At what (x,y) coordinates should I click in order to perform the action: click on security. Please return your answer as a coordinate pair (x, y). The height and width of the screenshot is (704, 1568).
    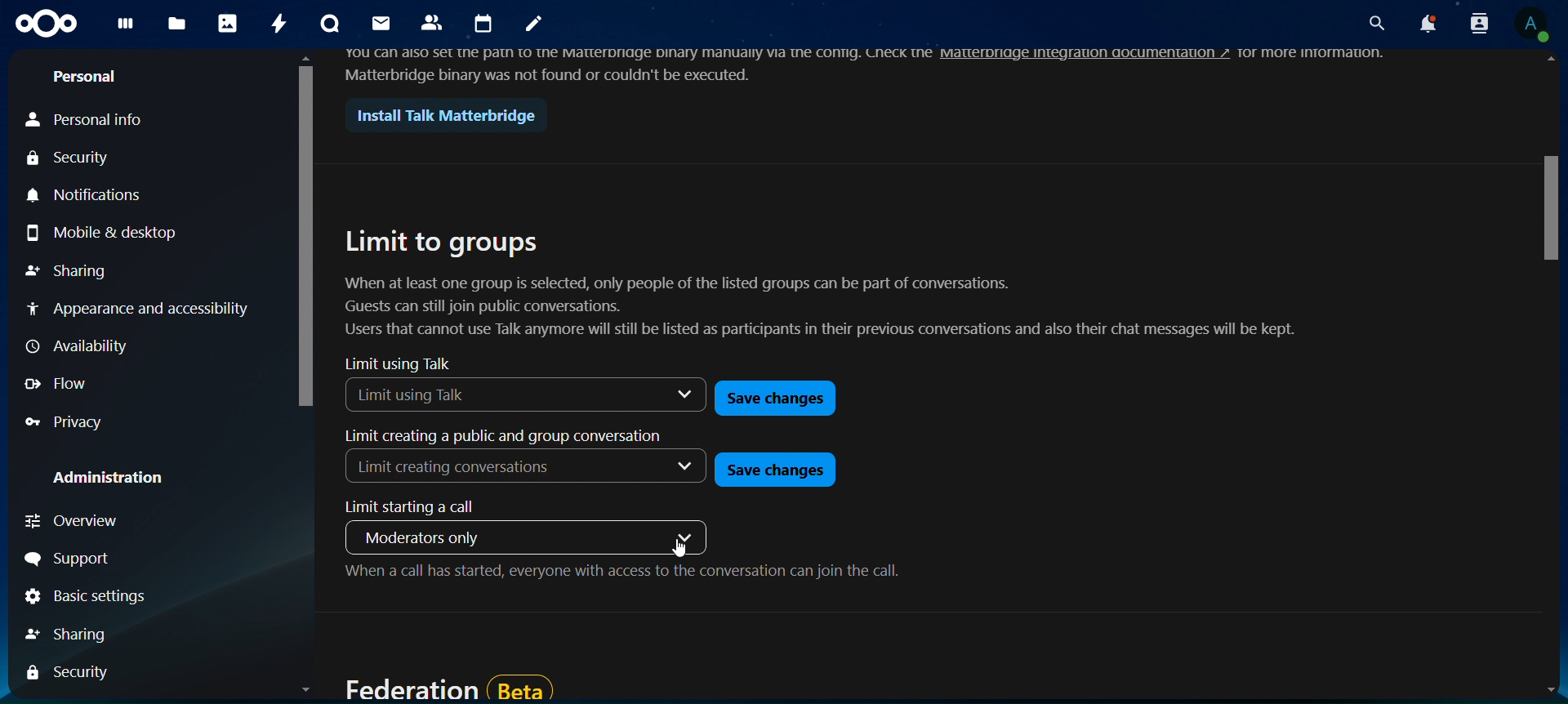
    Looking at the image, I should click on (72, 159).